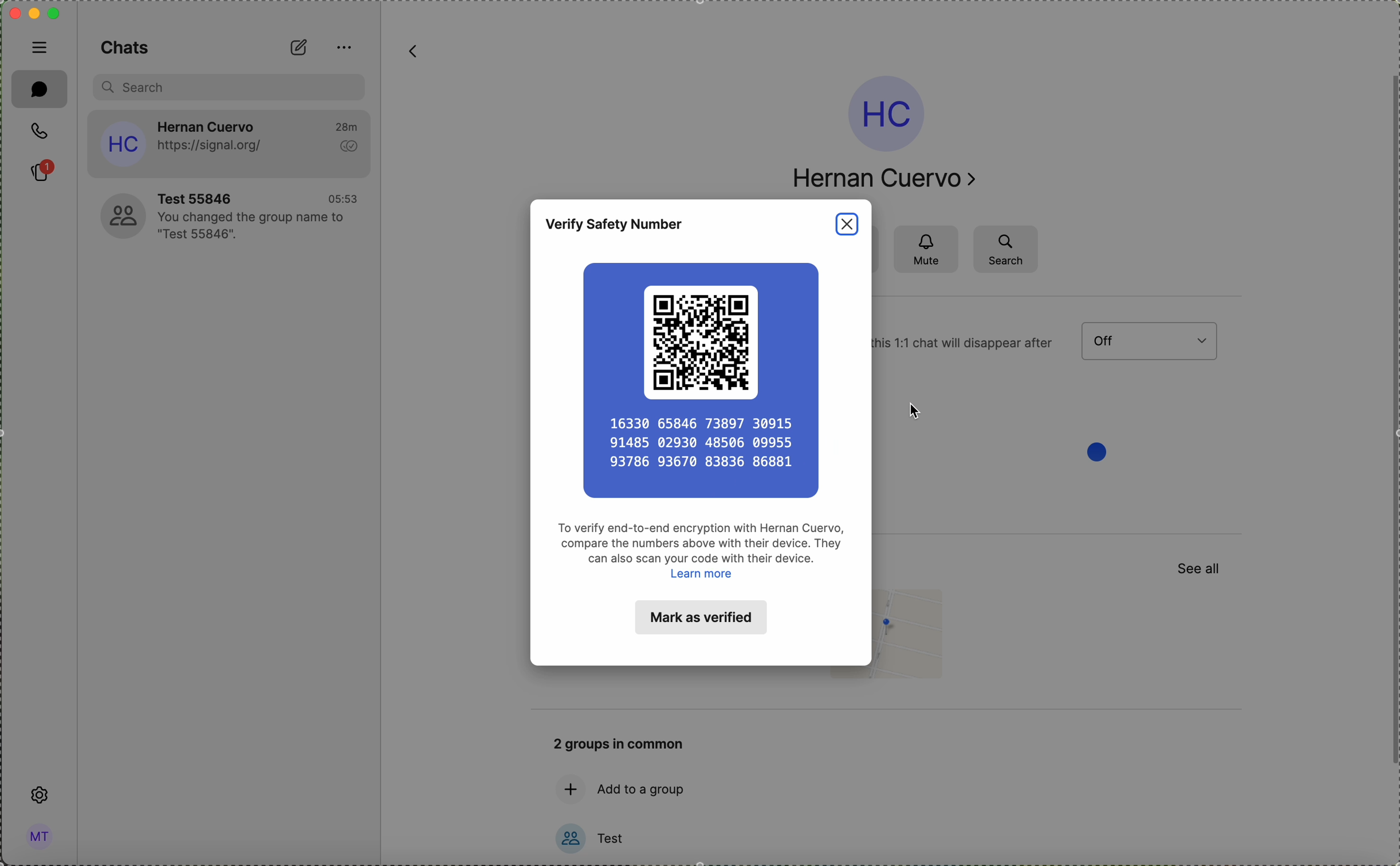  Describe the element at coordinates (342, 49) in the screenshot. I see `options` at that location.